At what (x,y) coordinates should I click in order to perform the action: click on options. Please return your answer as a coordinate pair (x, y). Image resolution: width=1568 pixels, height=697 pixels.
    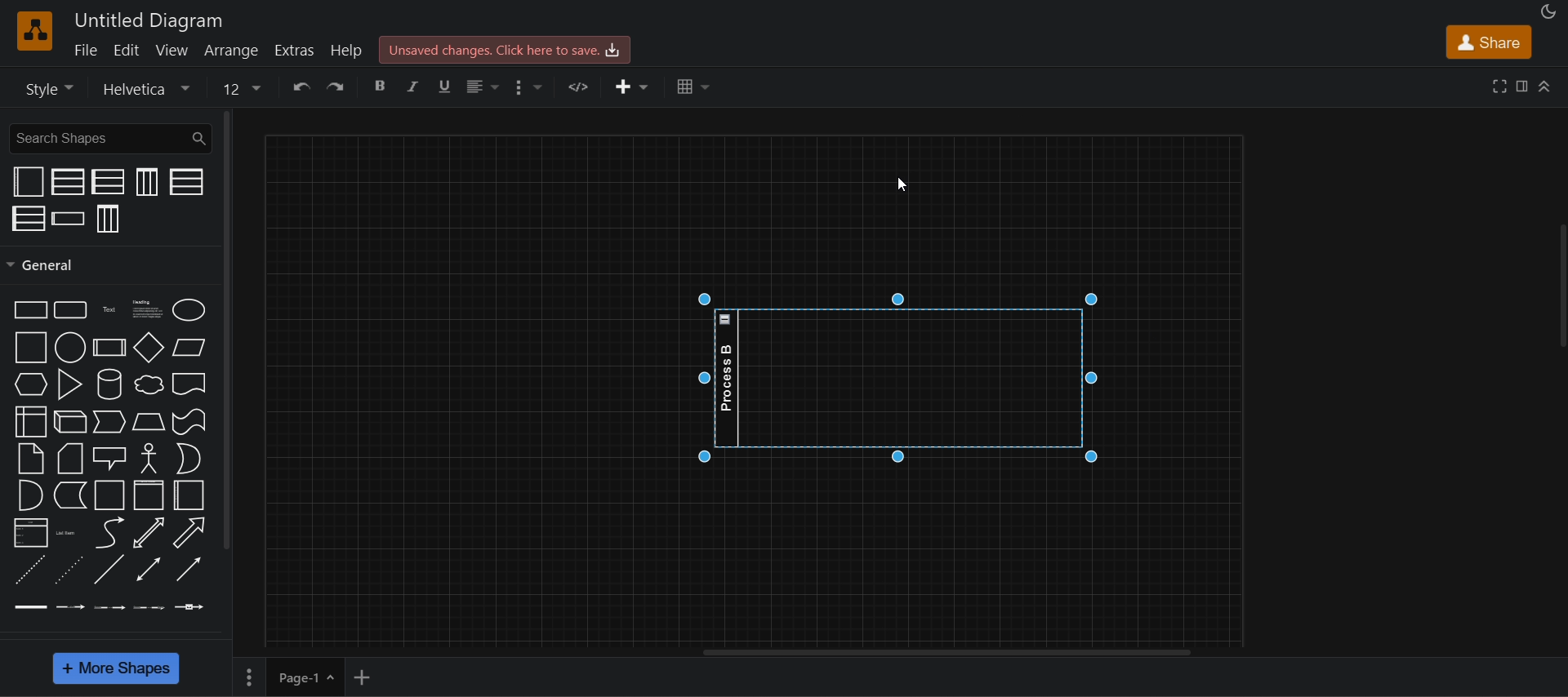
    Looking at the image, I should click on (247, 677).